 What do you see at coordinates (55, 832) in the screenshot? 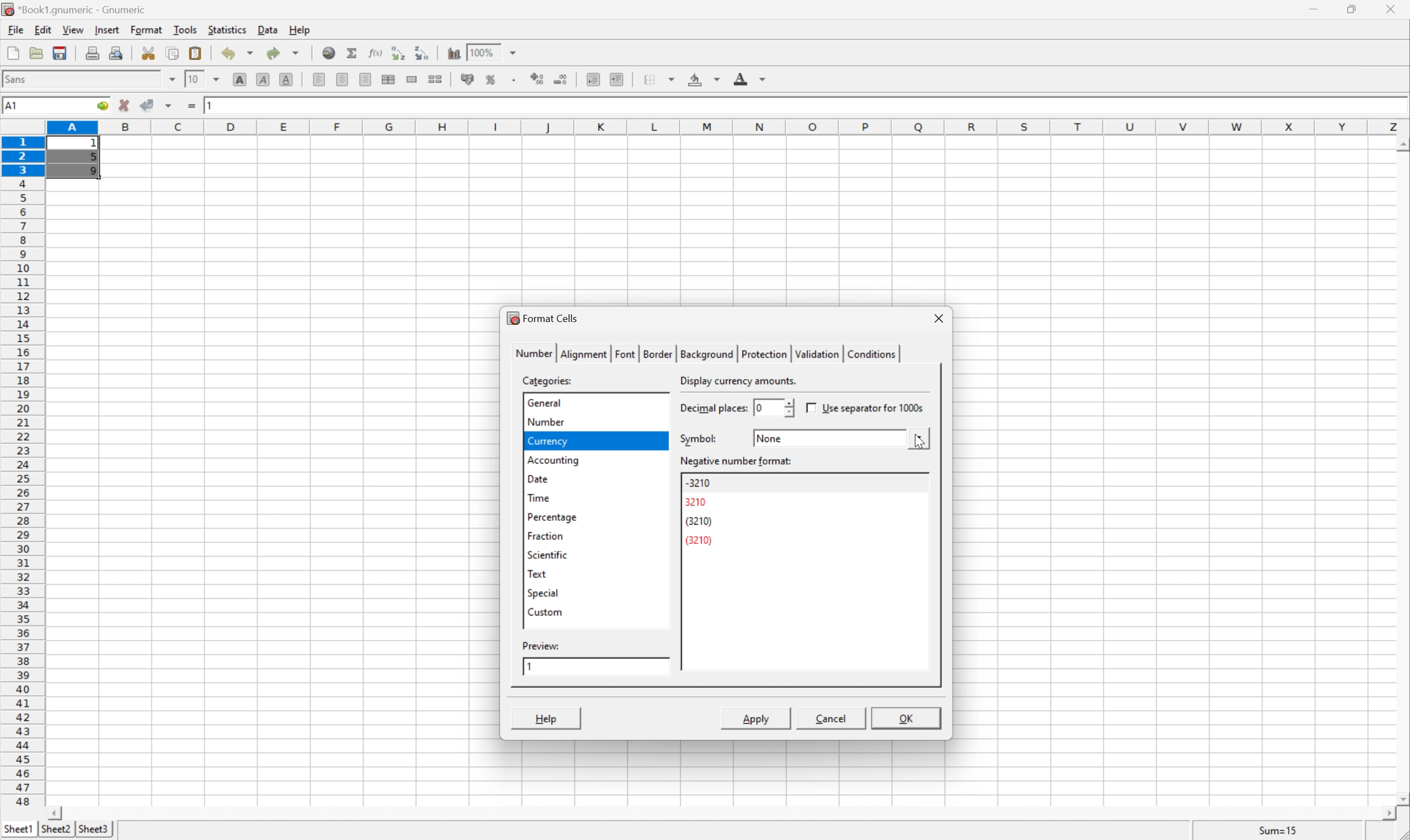
I see `sheet2` at bounding box center [55, 832].